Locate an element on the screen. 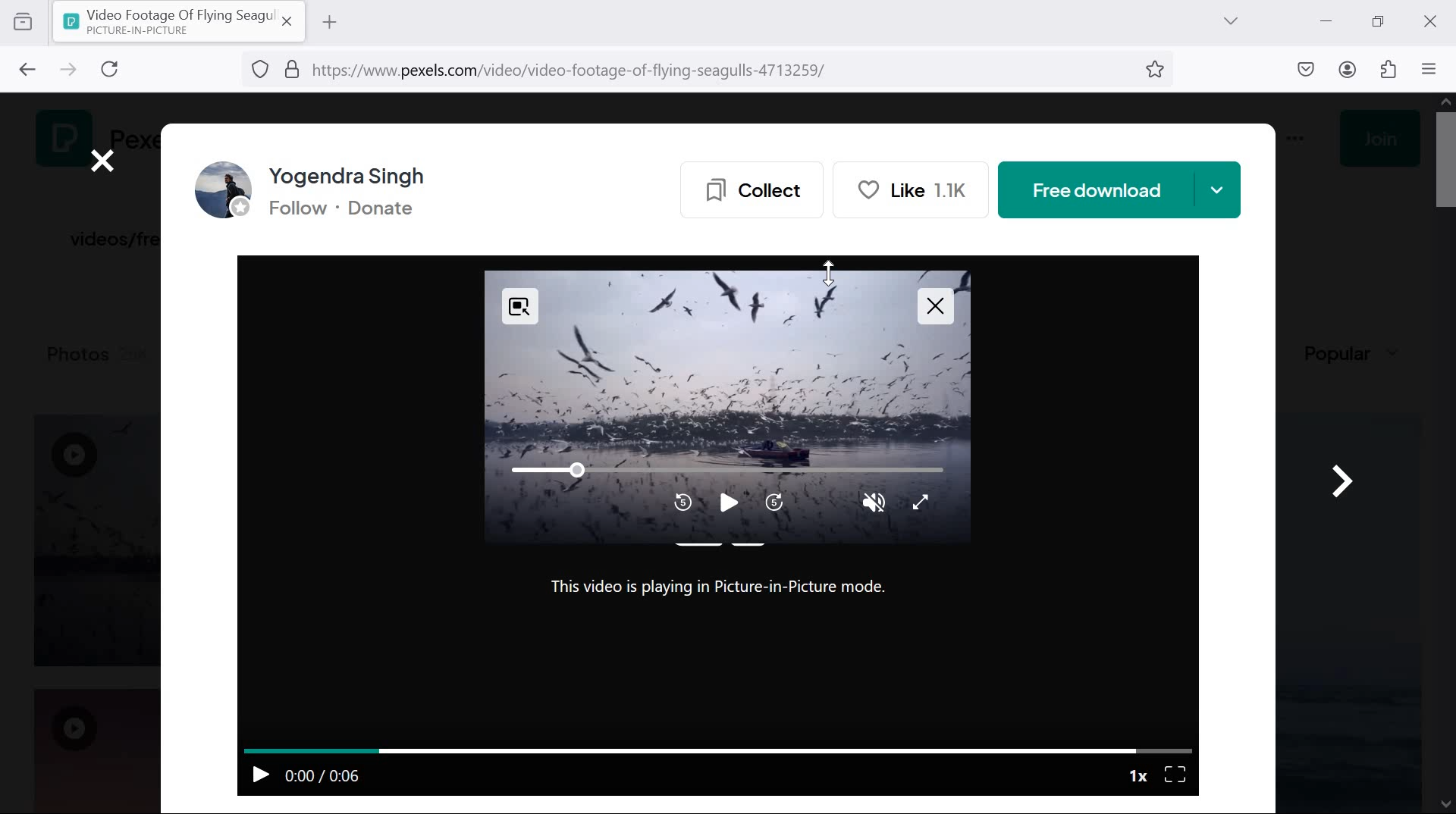 This screenshot has height=814, width=1456. view recent history across devices and windows is located at coordinates (23, 20).